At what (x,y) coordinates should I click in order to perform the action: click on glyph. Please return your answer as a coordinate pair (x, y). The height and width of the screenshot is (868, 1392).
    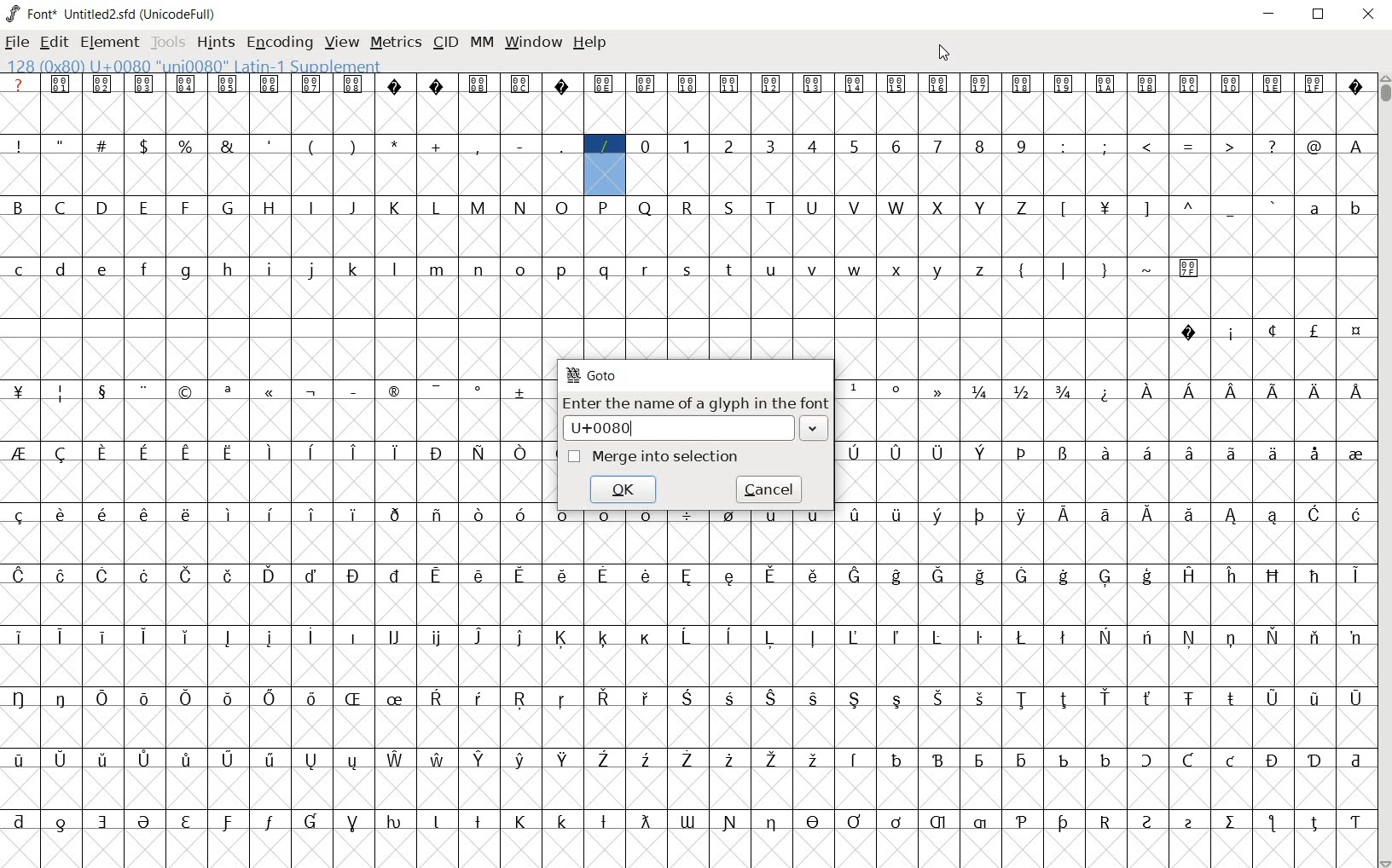
    Looking at the image, I should click on (20, 637).